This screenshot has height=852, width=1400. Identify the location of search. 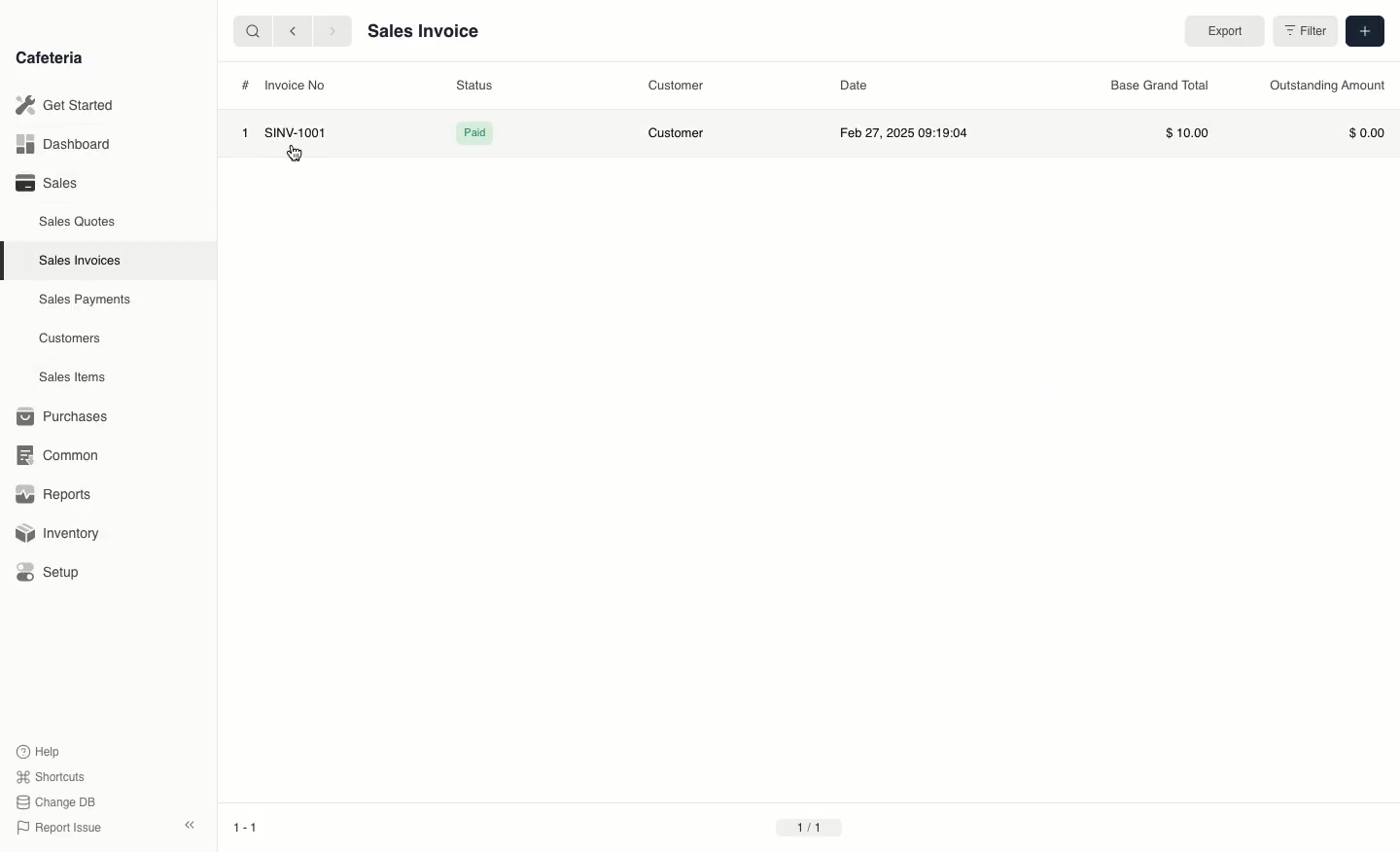
(250, 30).